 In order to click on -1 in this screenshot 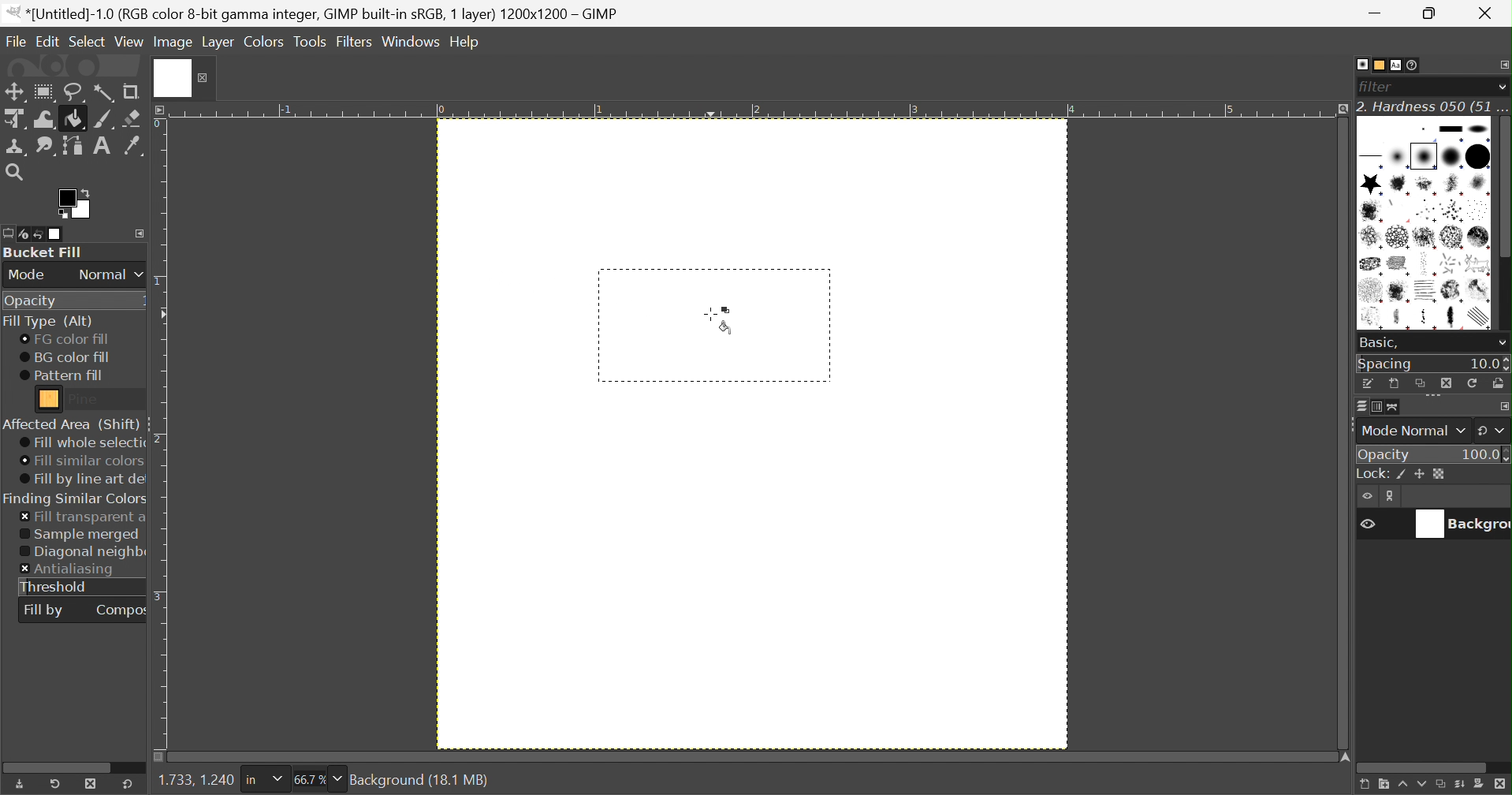, I will do `click(284, 109)`.